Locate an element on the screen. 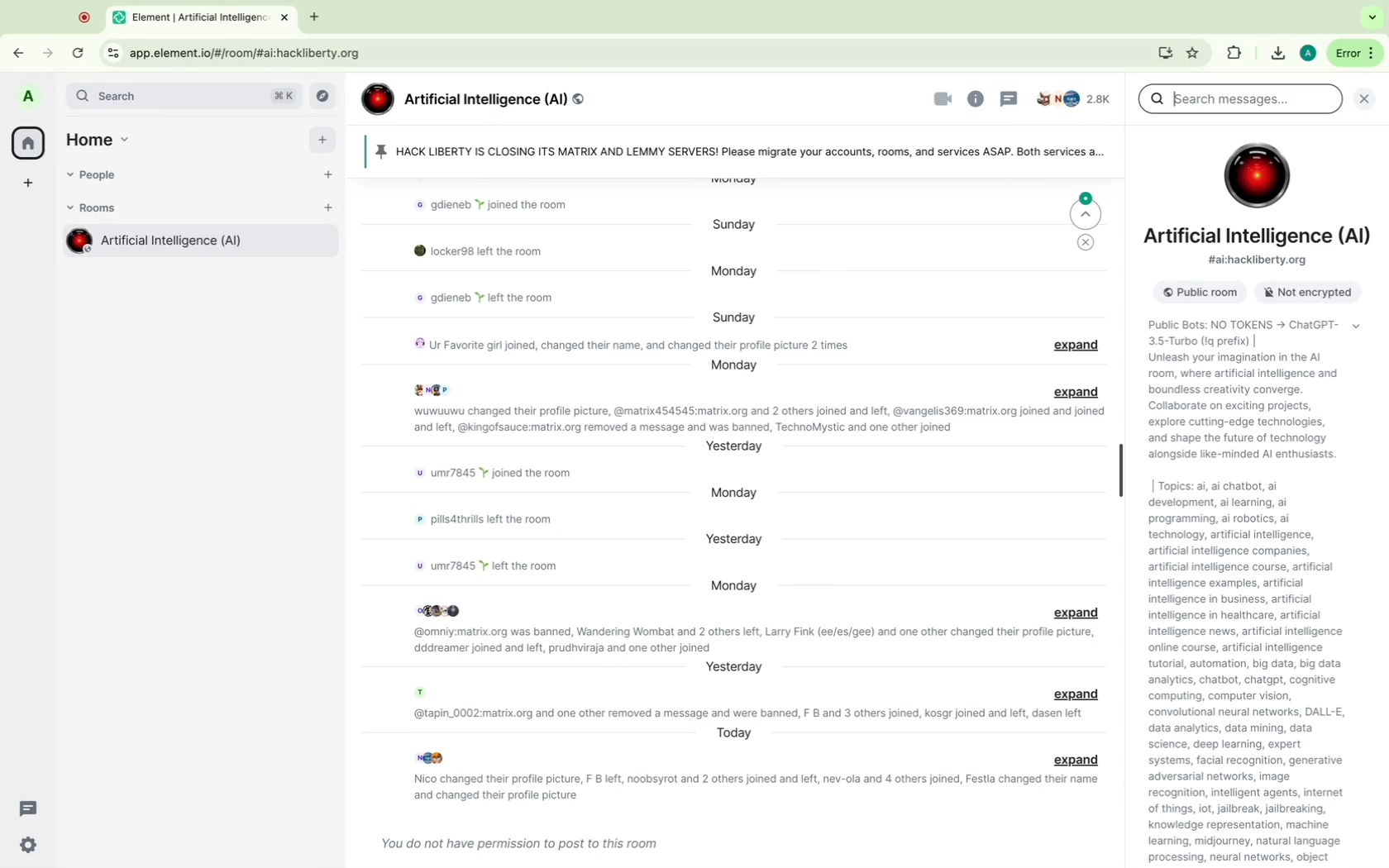  google profile picture is located at coordinates (1307, 53).